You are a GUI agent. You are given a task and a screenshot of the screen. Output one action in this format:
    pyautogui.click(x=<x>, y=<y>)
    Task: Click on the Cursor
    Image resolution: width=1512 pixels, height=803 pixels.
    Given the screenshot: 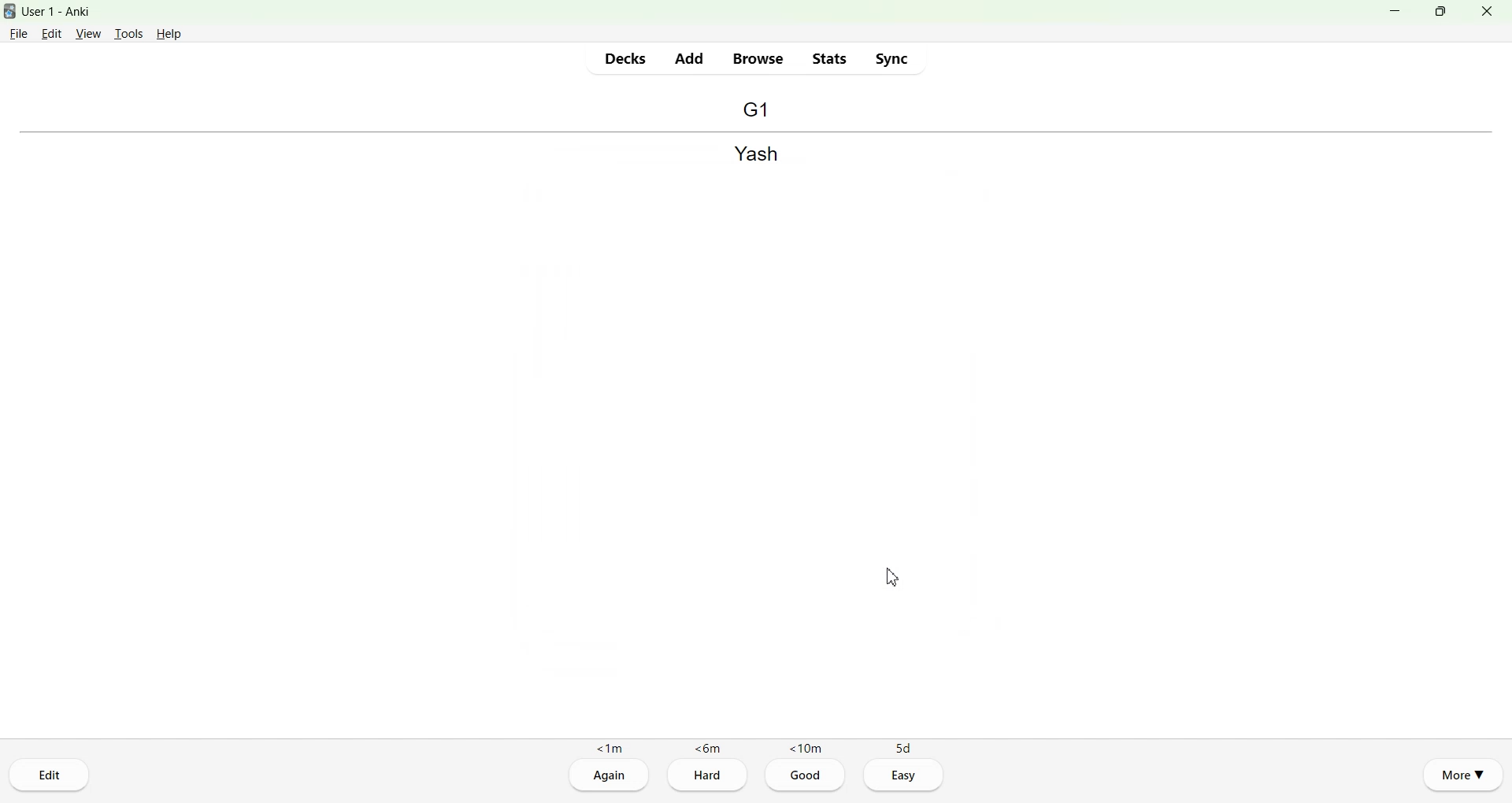 What is the action you would take?
    pyautogui.click(x=892, y=576)
    